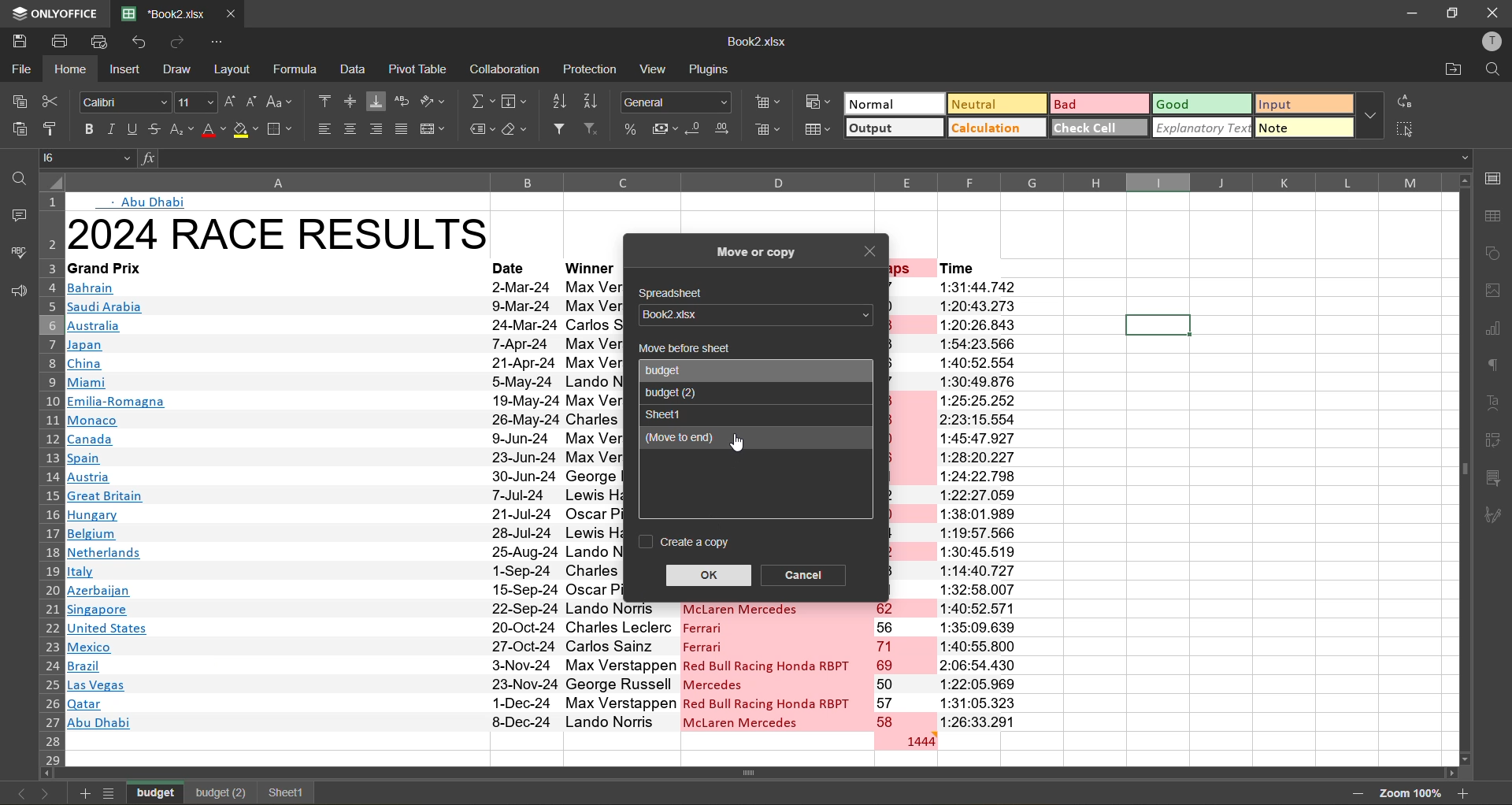  Describe the element at coordinates (770, 106) in the screenshot. I see `insert cells` at that location.